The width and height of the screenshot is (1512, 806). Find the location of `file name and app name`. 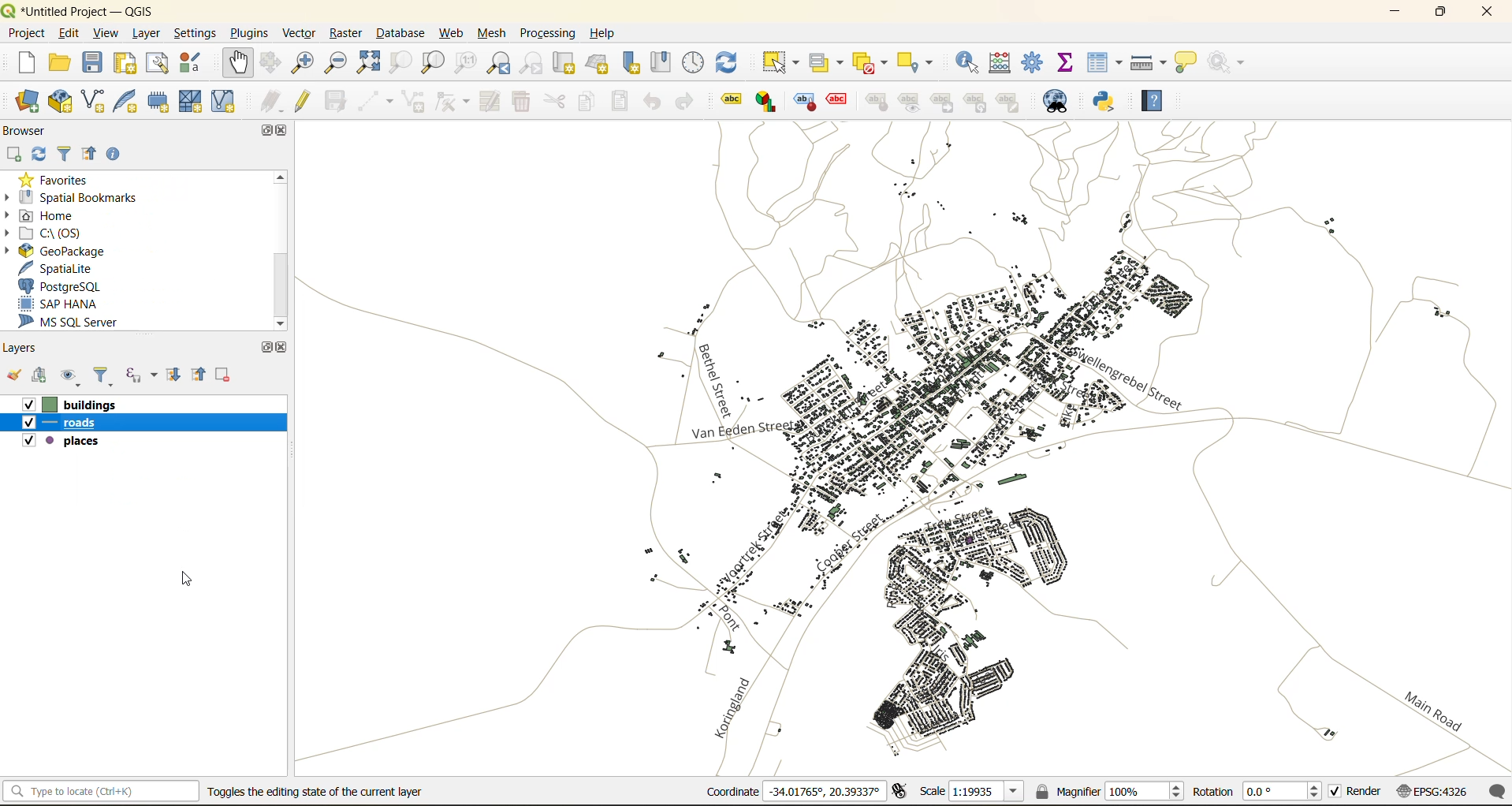

file name and app name is located at coordinates (88, 12).